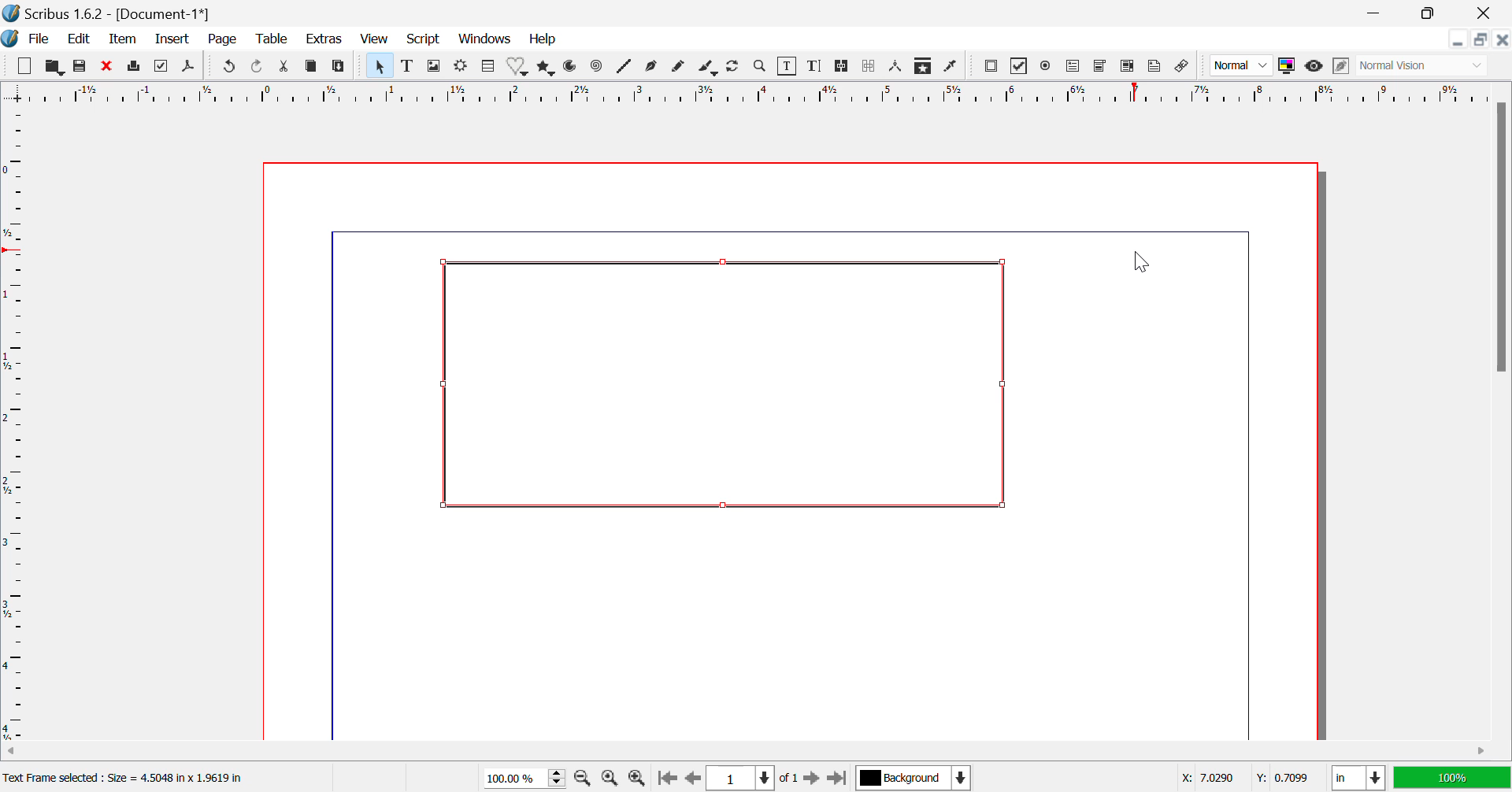  What do you see at coordinates (1451, 778) in the screenshot?
I see `100%` at bounding box center [1451, 778].